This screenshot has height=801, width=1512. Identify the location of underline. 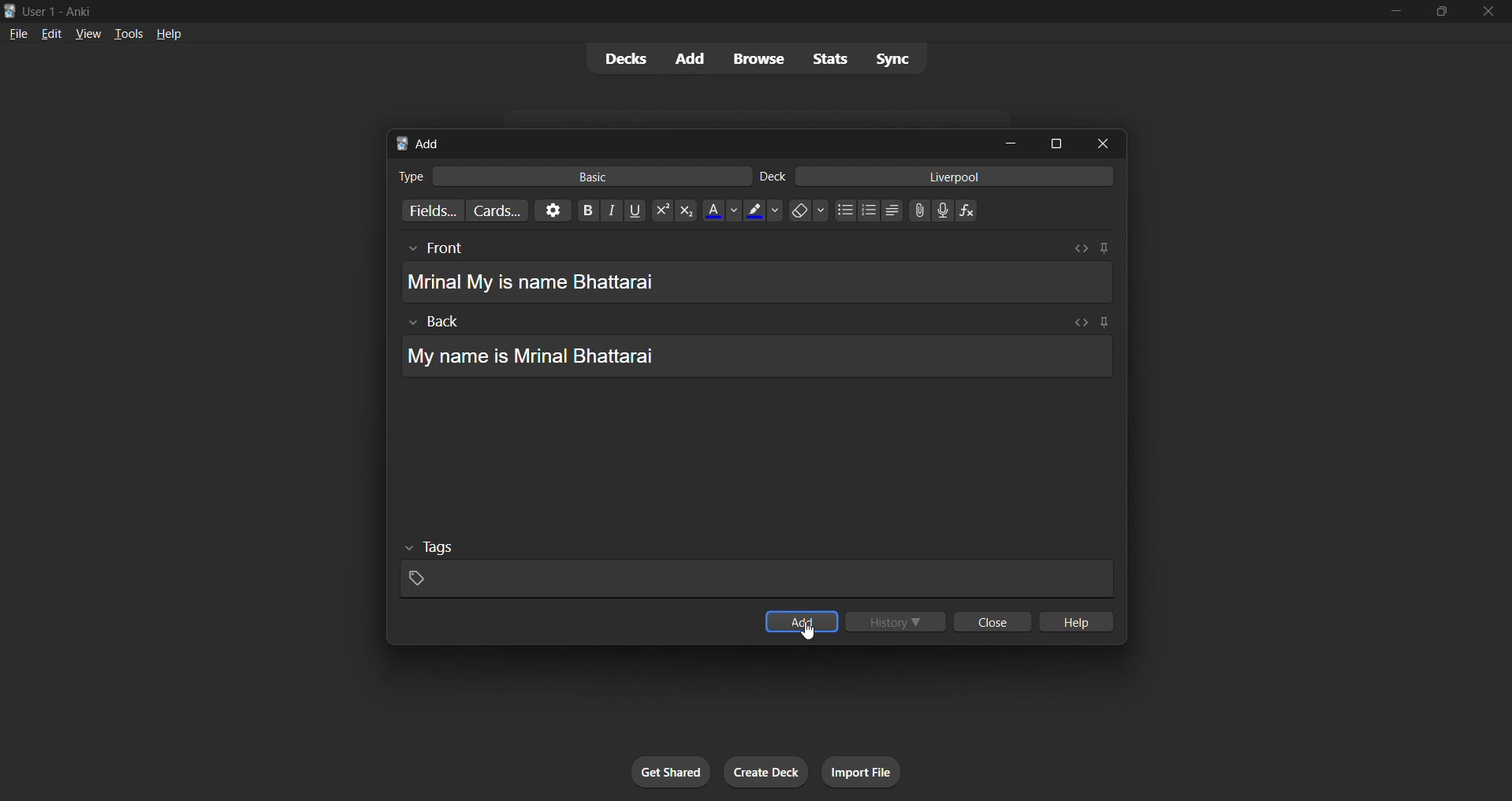
(630, 210).